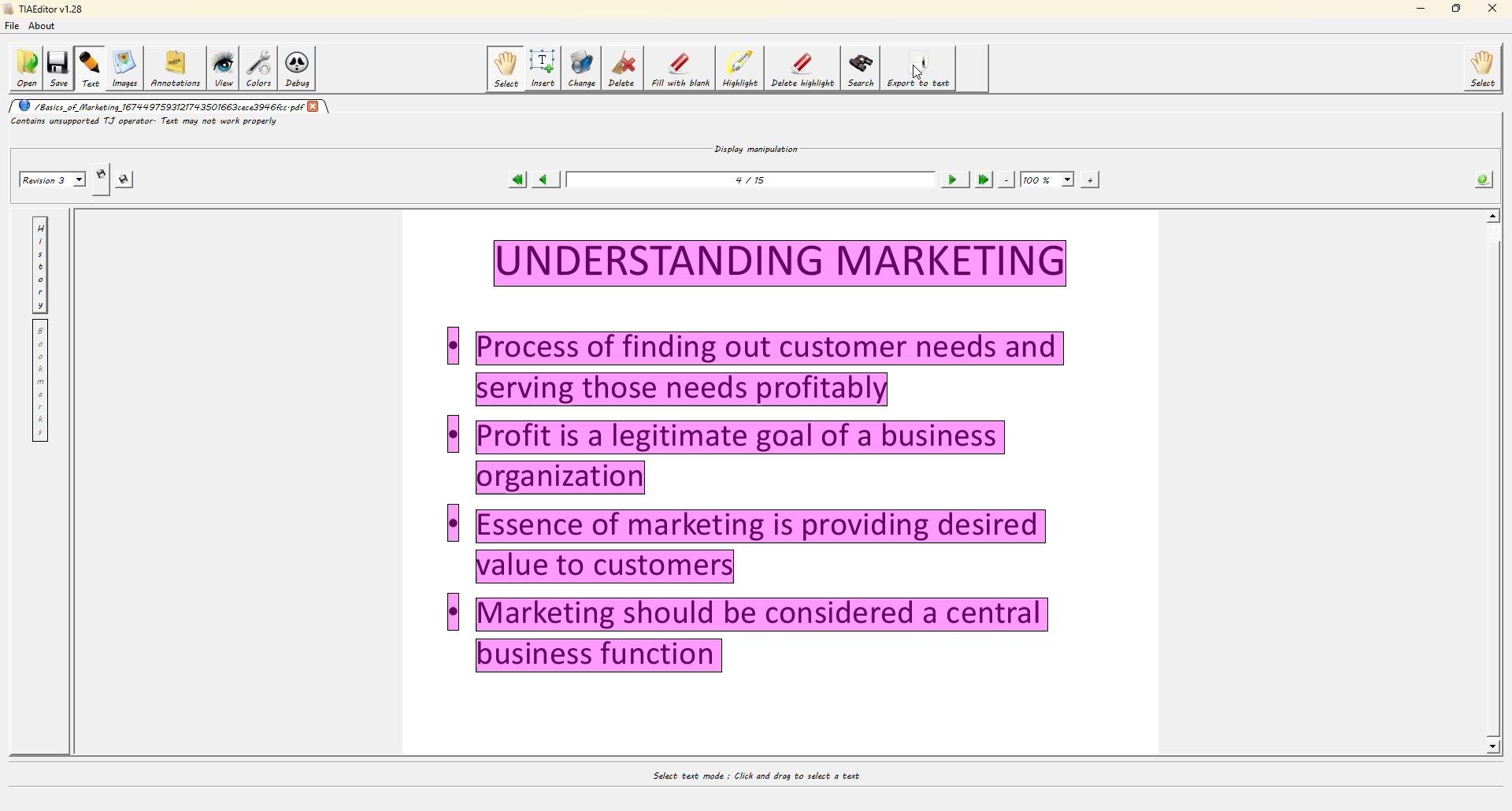 The width and height of the screenshot is (1512, 811). What do you see at coordinates (124, 69) in the screenshot?
I see `images` at bounding box center [124, 69].